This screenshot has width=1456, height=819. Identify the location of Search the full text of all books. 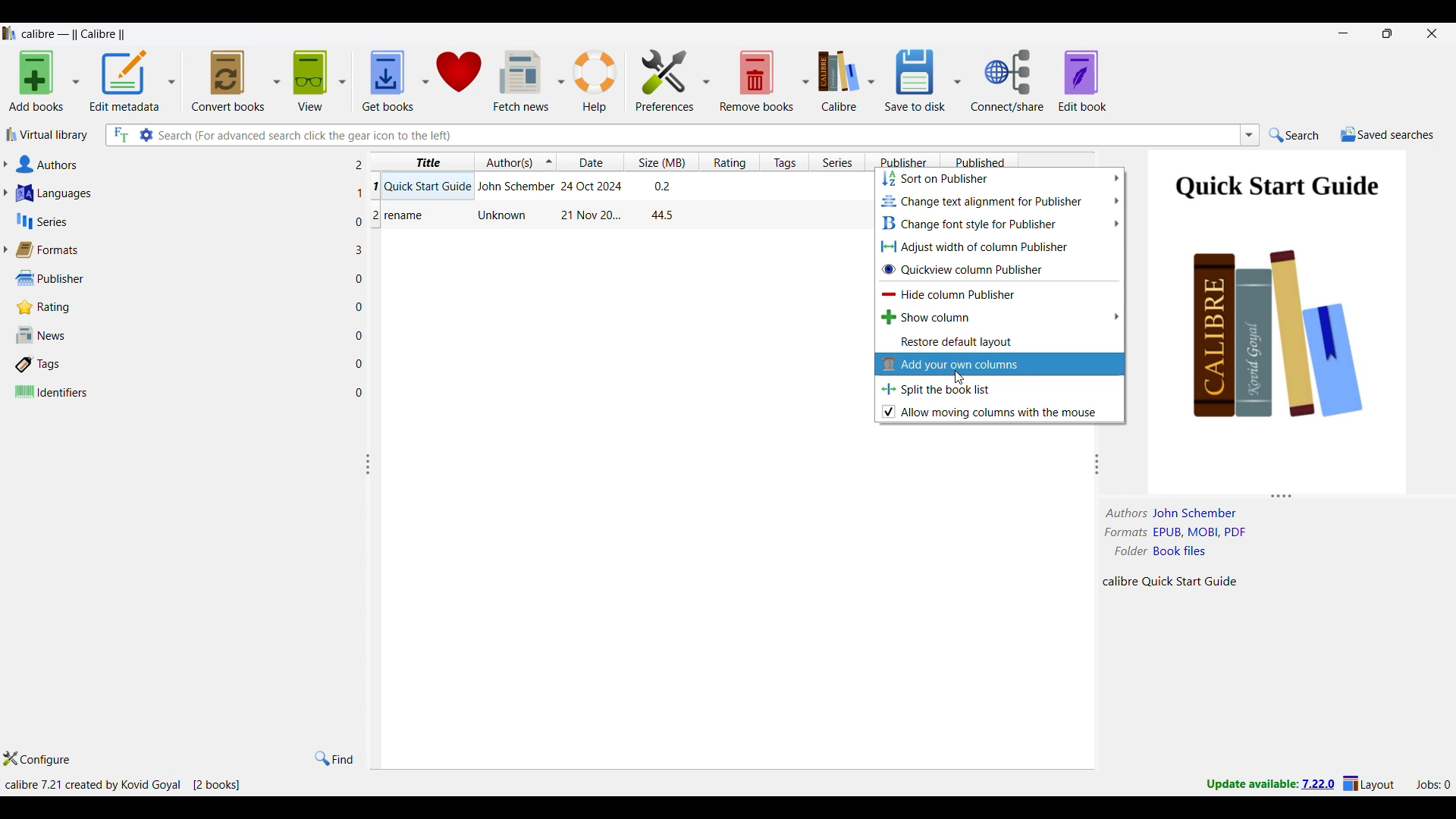
(120, 135).